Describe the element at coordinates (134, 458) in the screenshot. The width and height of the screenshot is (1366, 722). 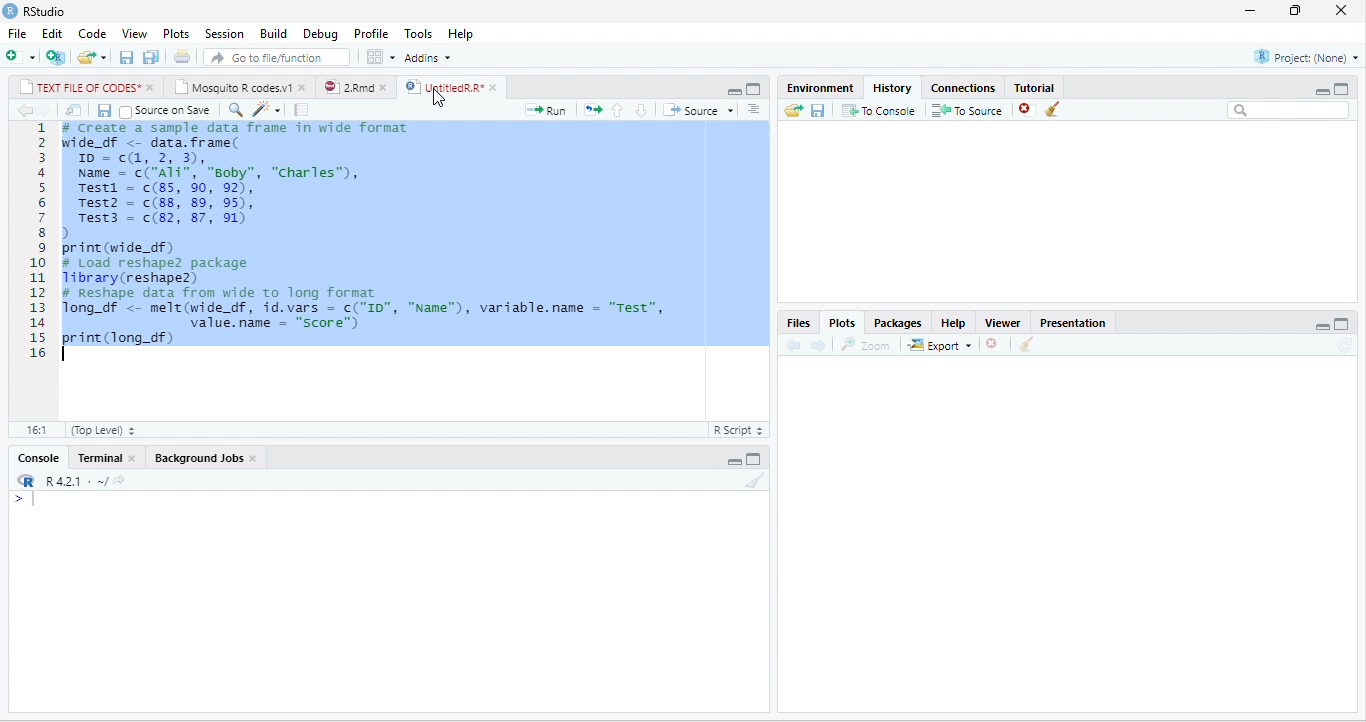
I see `close` at that location.